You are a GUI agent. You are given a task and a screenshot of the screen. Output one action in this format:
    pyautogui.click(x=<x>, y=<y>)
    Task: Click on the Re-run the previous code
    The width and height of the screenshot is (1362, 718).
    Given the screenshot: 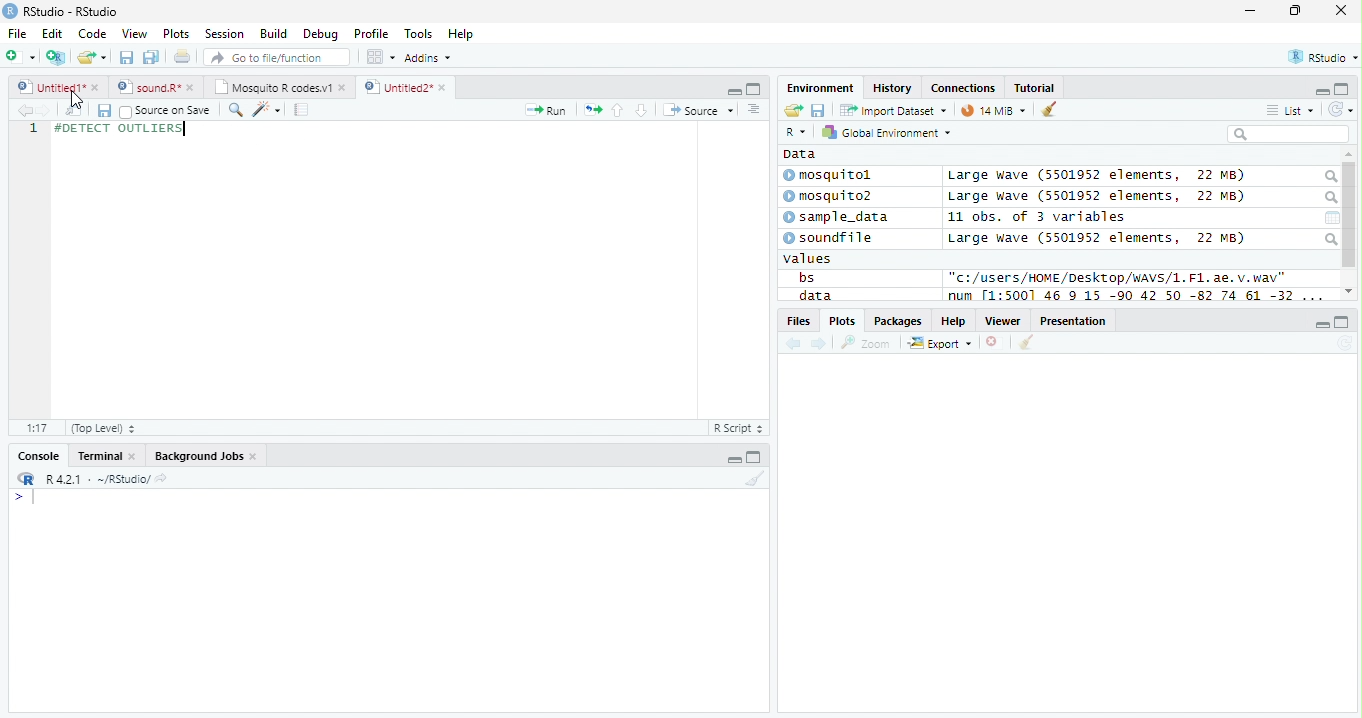 What is the action you would take?
    pyautogui.click(x=592, y=110)
    